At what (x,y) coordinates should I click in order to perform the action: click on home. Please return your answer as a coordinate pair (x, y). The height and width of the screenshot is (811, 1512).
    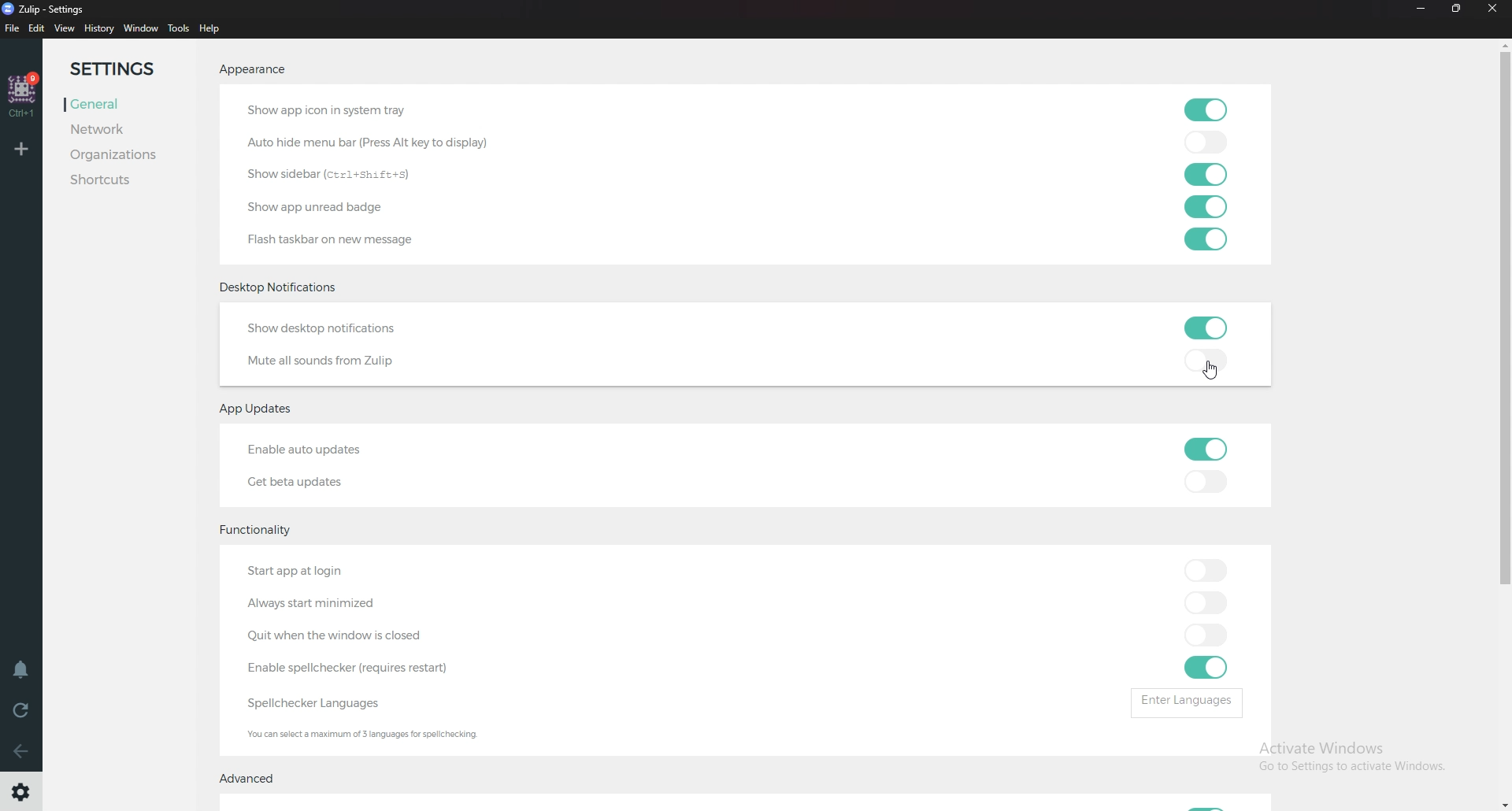
    Looking at the image, I should click on (21, 94).